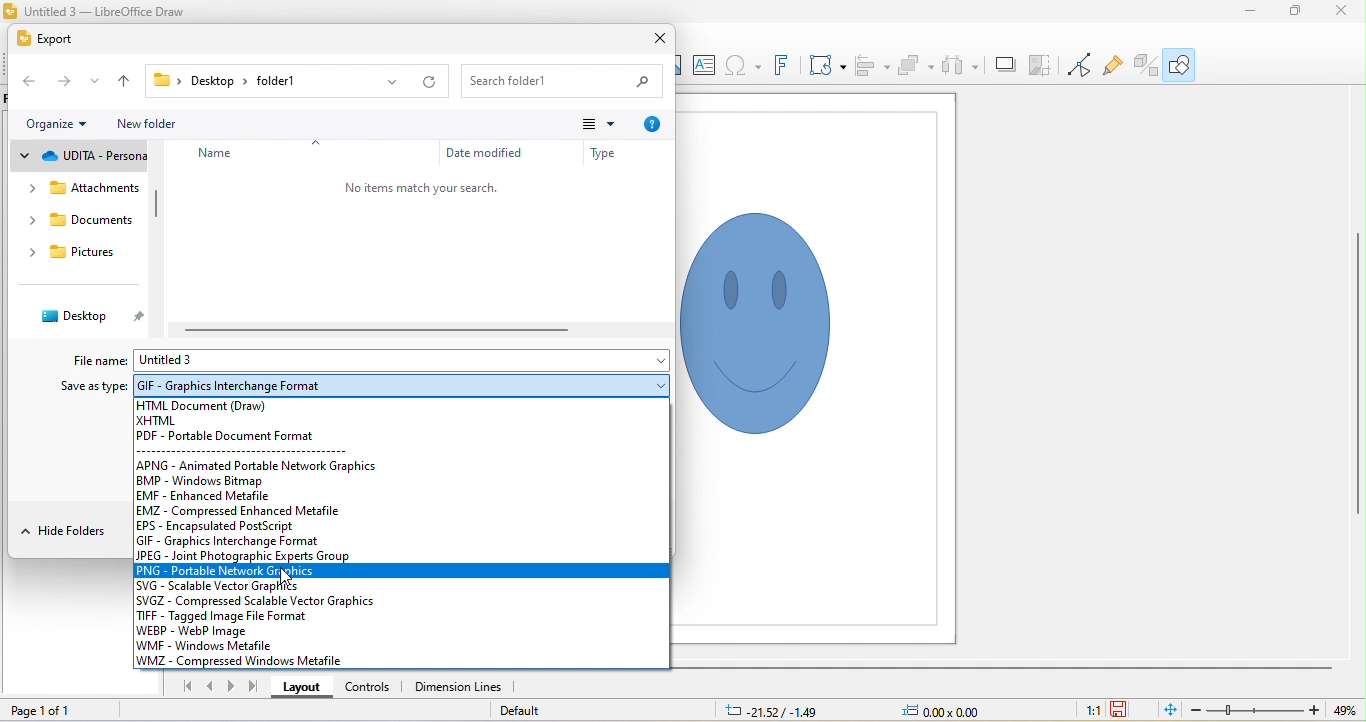 This screenshot has width=1366, height=722. I want to click on new folder, so click(152, 125).